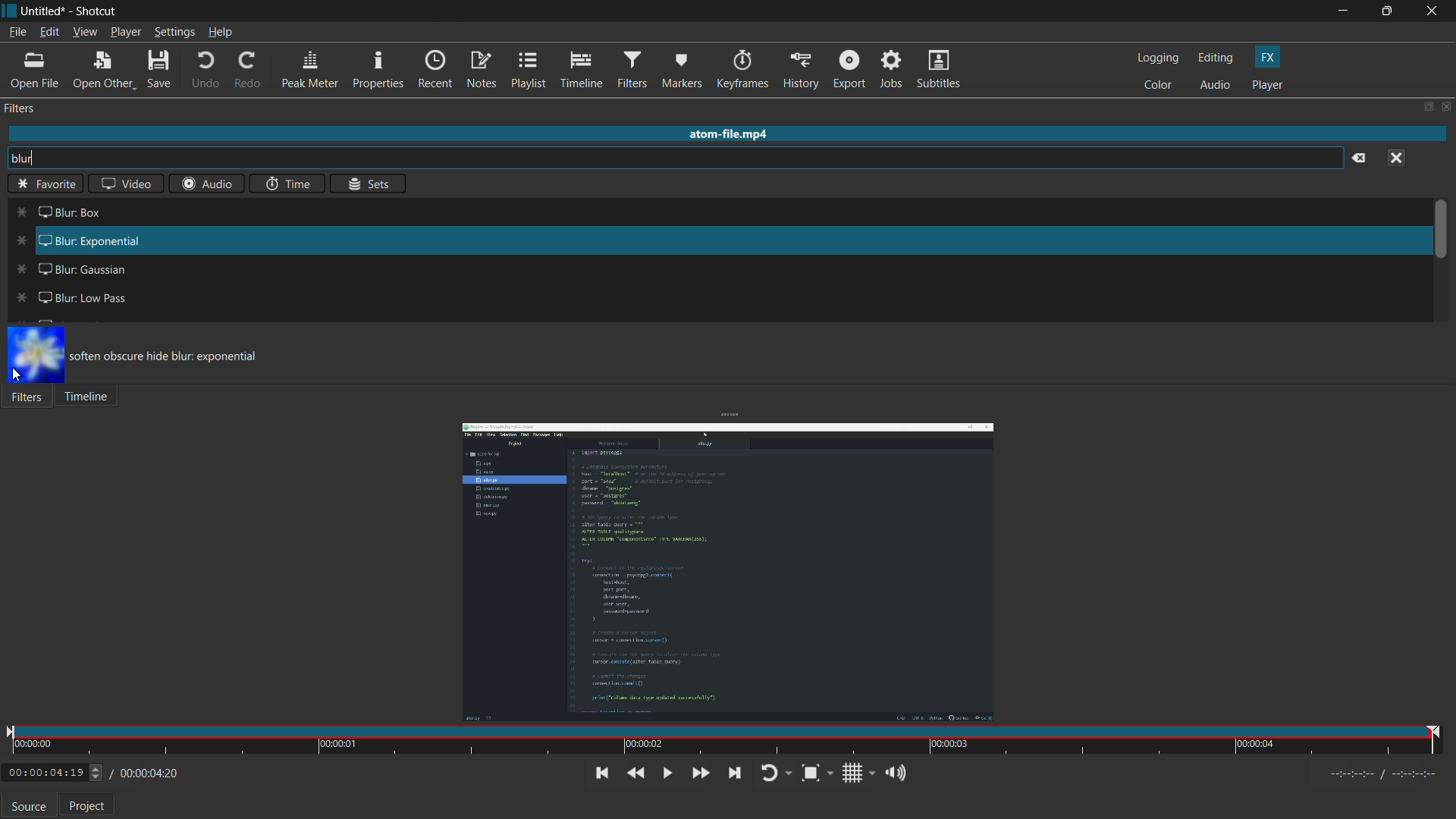 The height and width of the screenshot is (819, 1456). Describe the element at coordinates (1219, 58) in the screenshot. I see `editing` at that location.